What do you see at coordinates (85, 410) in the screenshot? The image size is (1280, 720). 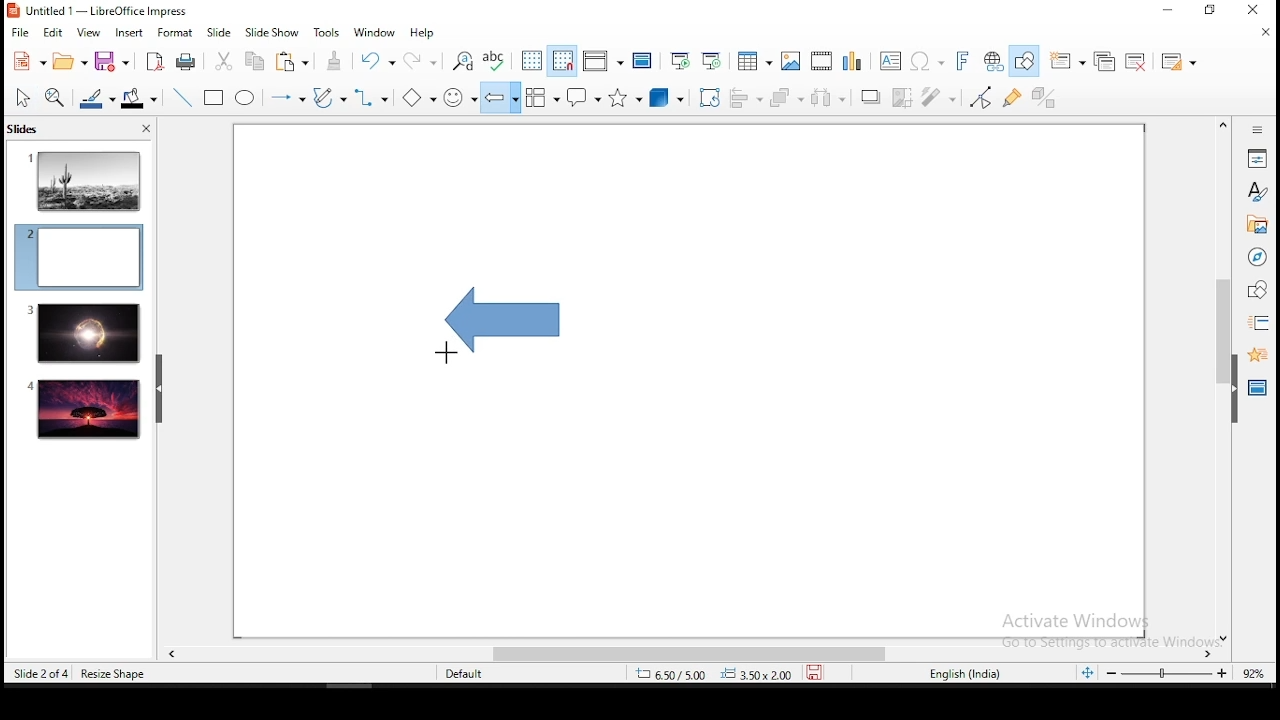 I see `slide` at bounding box center [85, 410].